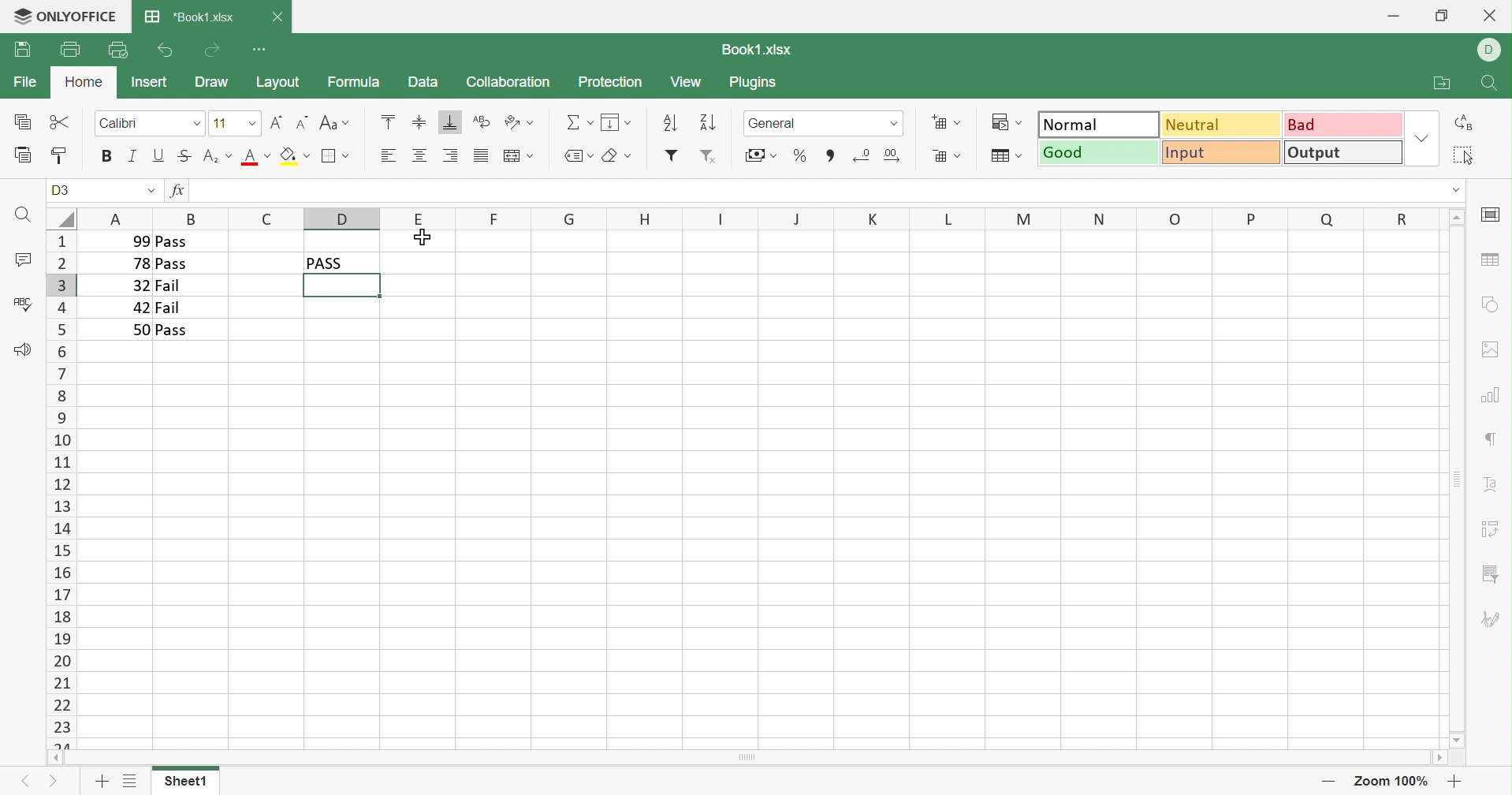 This screenshot has width=1512, height=795. What do you see at coordinates (1345, 151) in the screenshot?
I see `Output` at bounding box center [1345, 151].